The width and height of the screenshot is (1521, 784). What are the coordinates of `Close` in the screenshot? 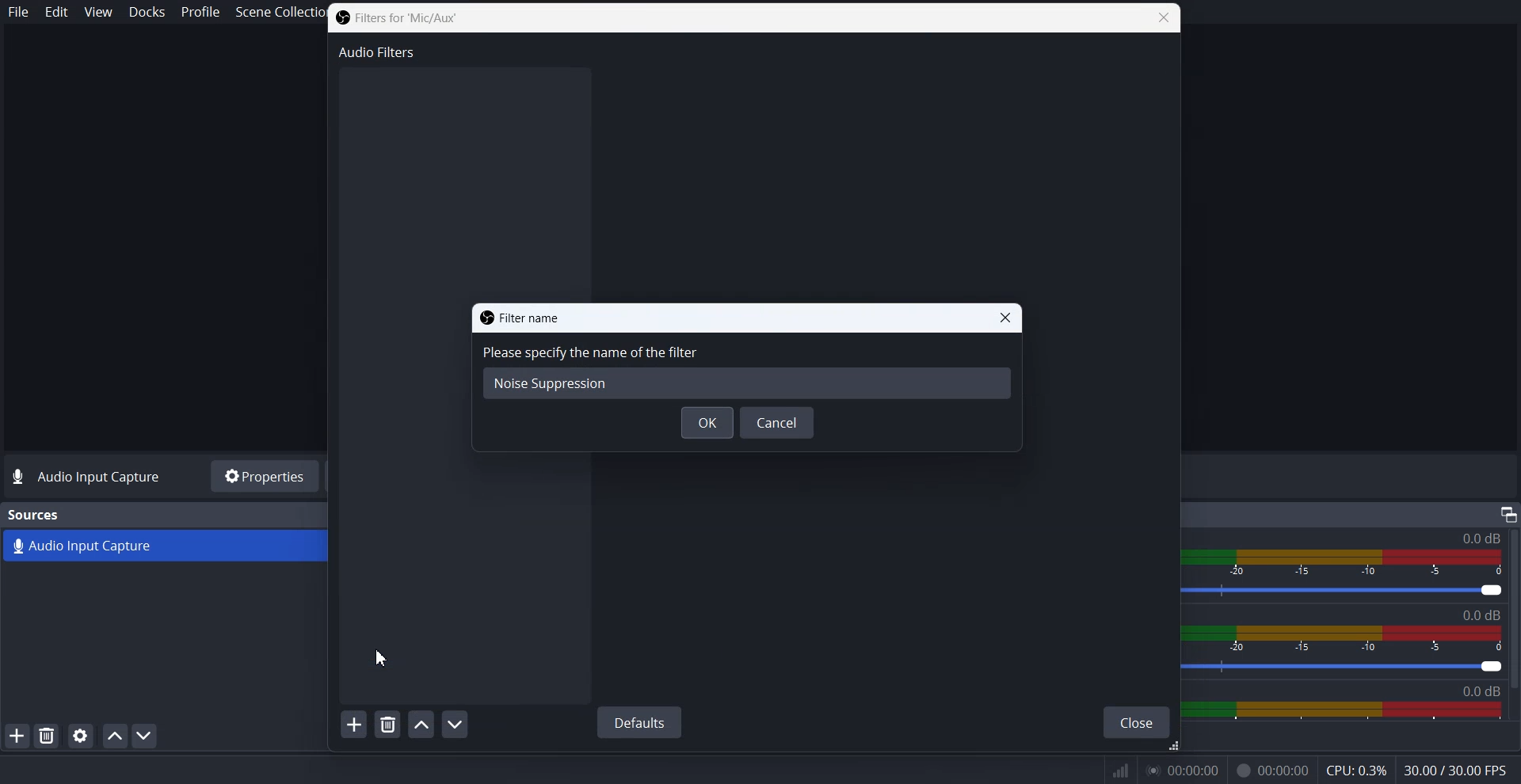 It's located at (1164, 18).